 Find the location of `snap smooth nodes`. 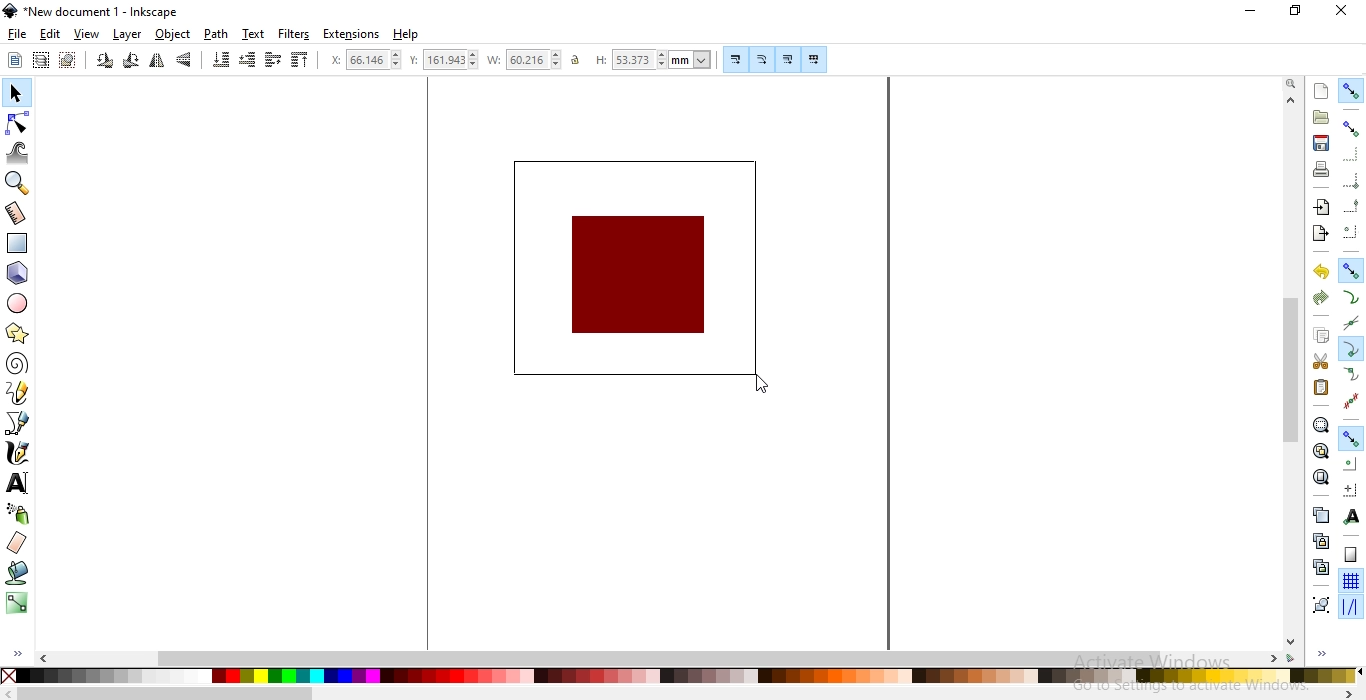

snap smooth nodes is located at coordinates (1350, 375).